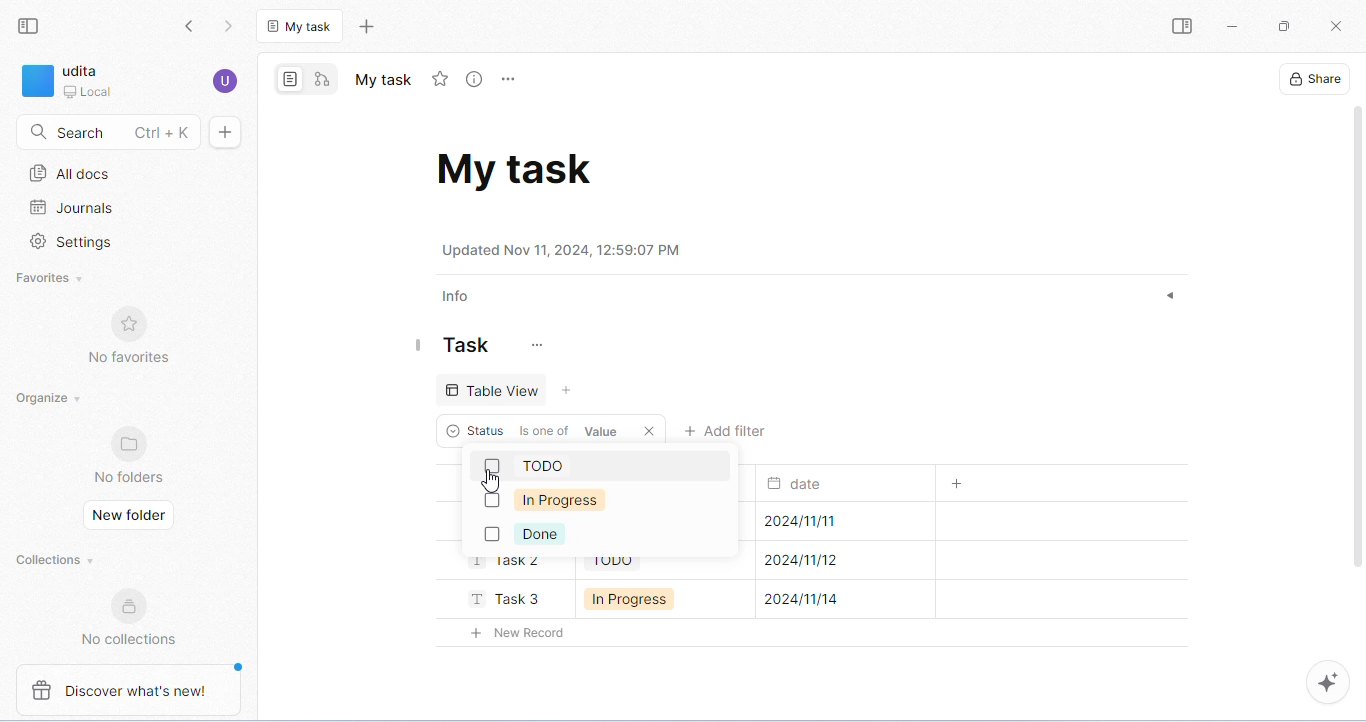 Image resolution: width=1366 pixels, height=722 pixels. Describe the element at coordinates (1167, 297) in the screenshot. I see `expand` at that location.